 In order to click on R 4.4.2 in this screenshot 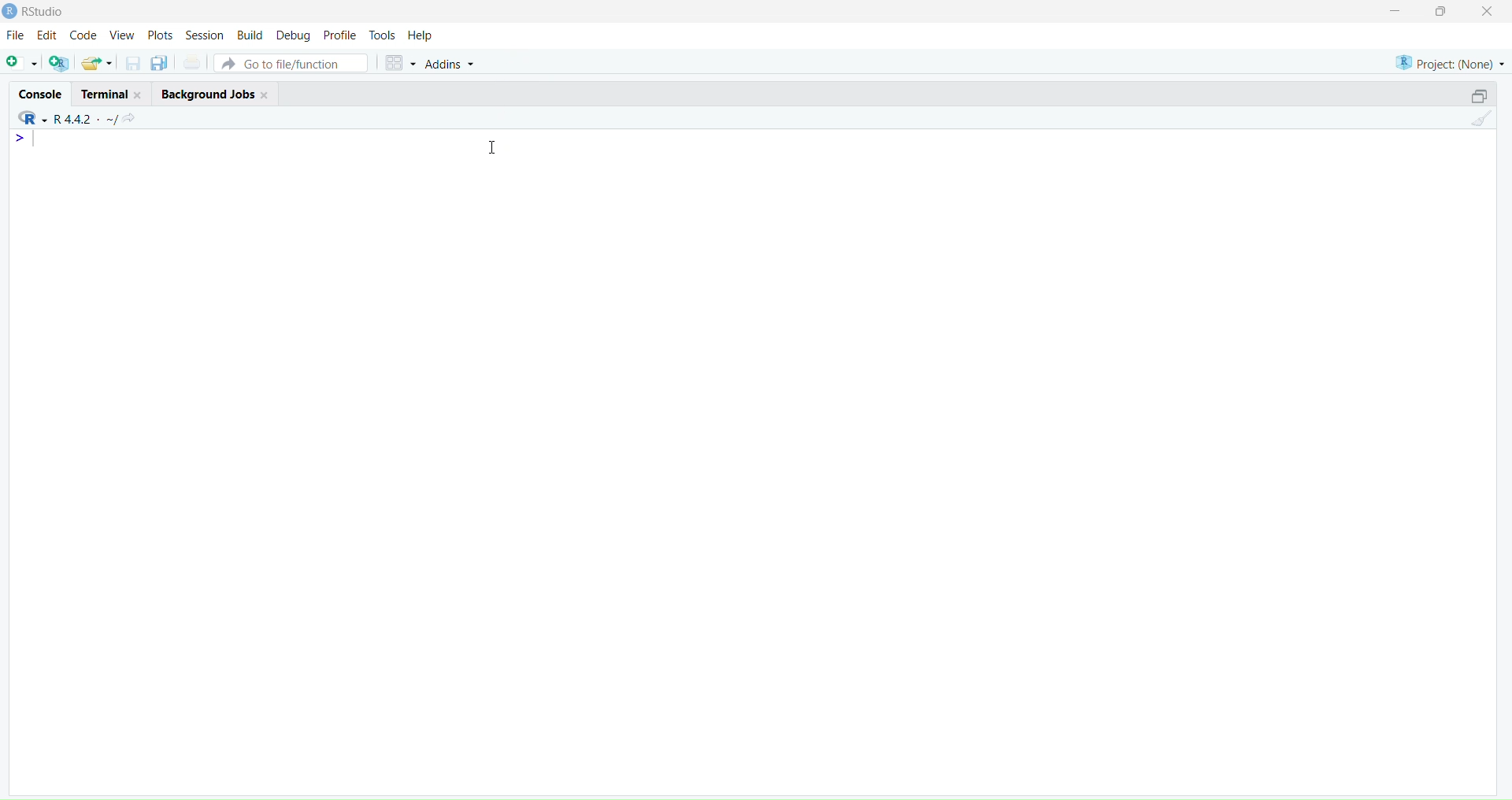, I will do `click(65, 119)`.